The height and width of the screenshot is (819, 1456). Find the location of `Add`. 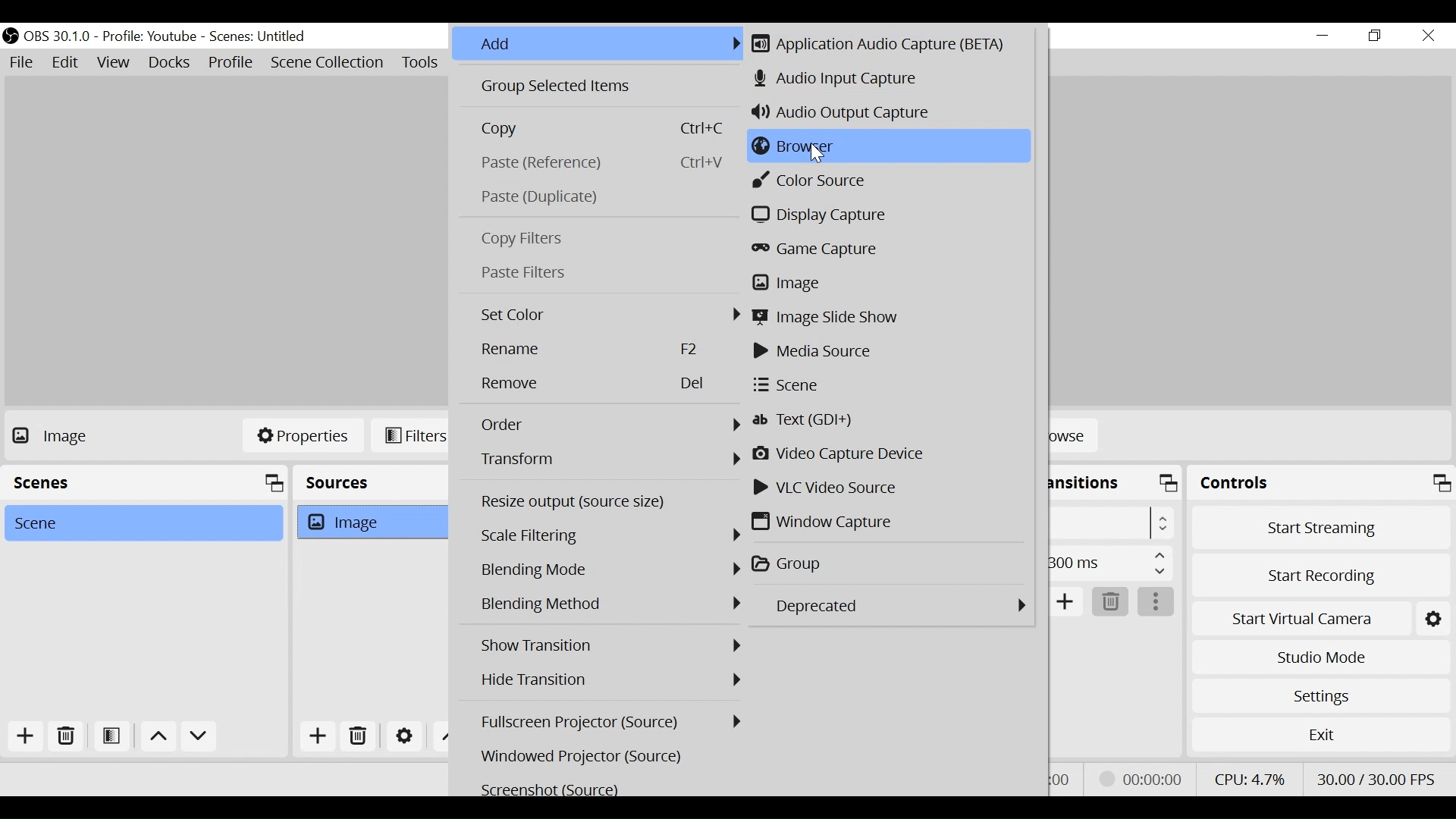

Add is located at coordinates (599, 41).